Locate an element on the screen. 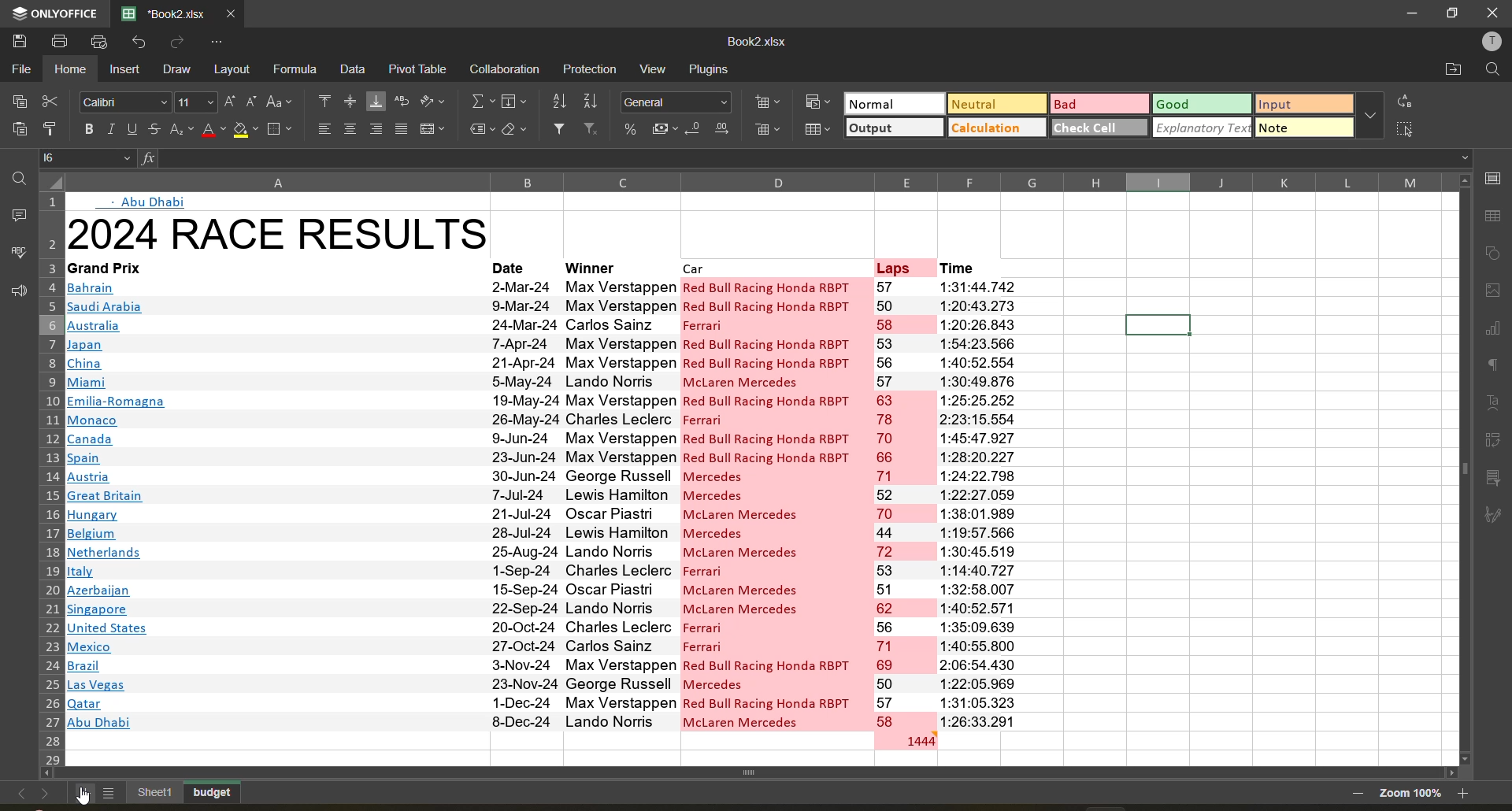  sub/superscript is located at coordinates (183, 130).